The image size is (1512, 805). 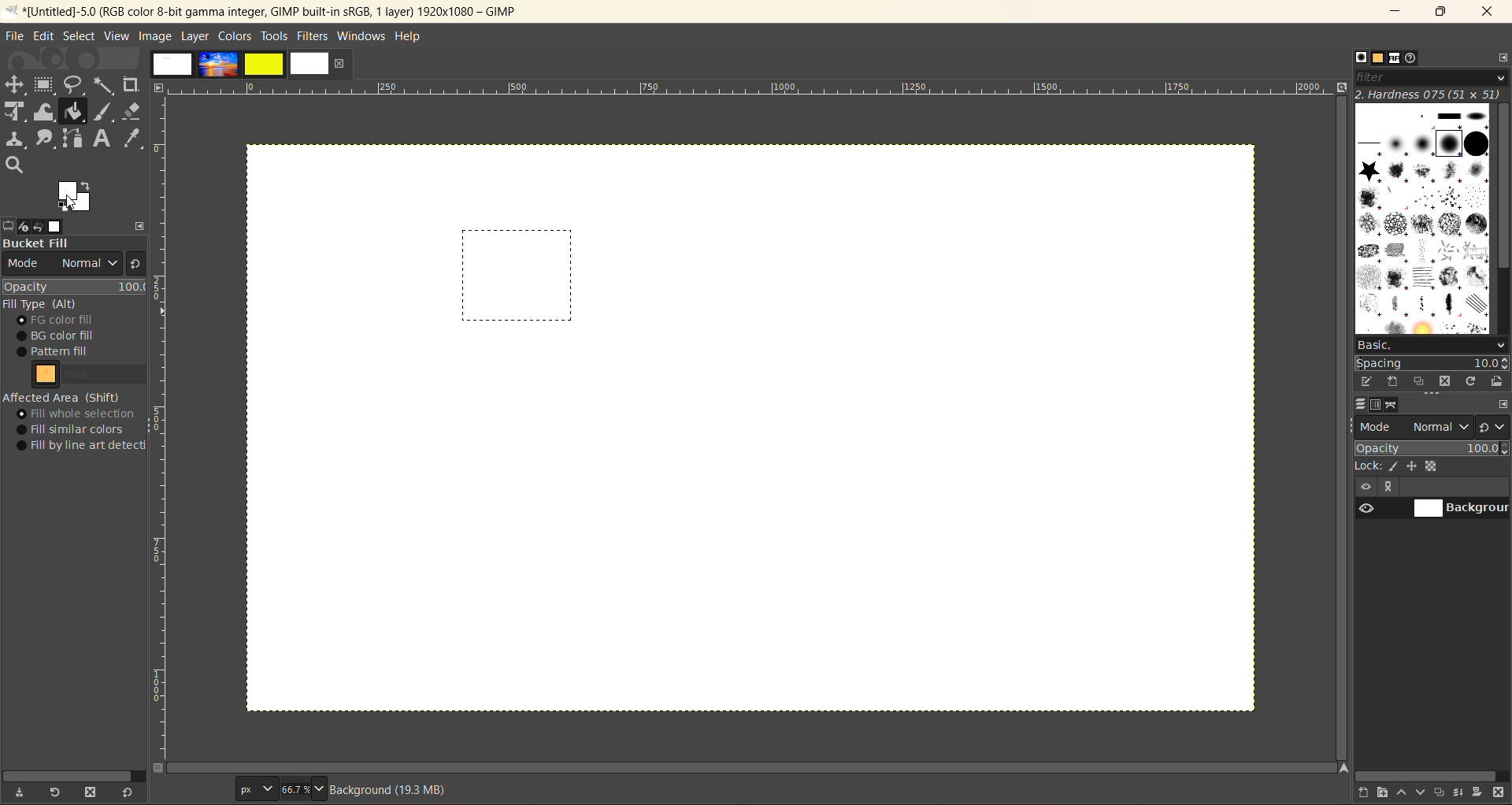 What do you see at coordinates (76, 429) in the screenshot?
I see `fill similar colors` at bounding box center [76, 429].